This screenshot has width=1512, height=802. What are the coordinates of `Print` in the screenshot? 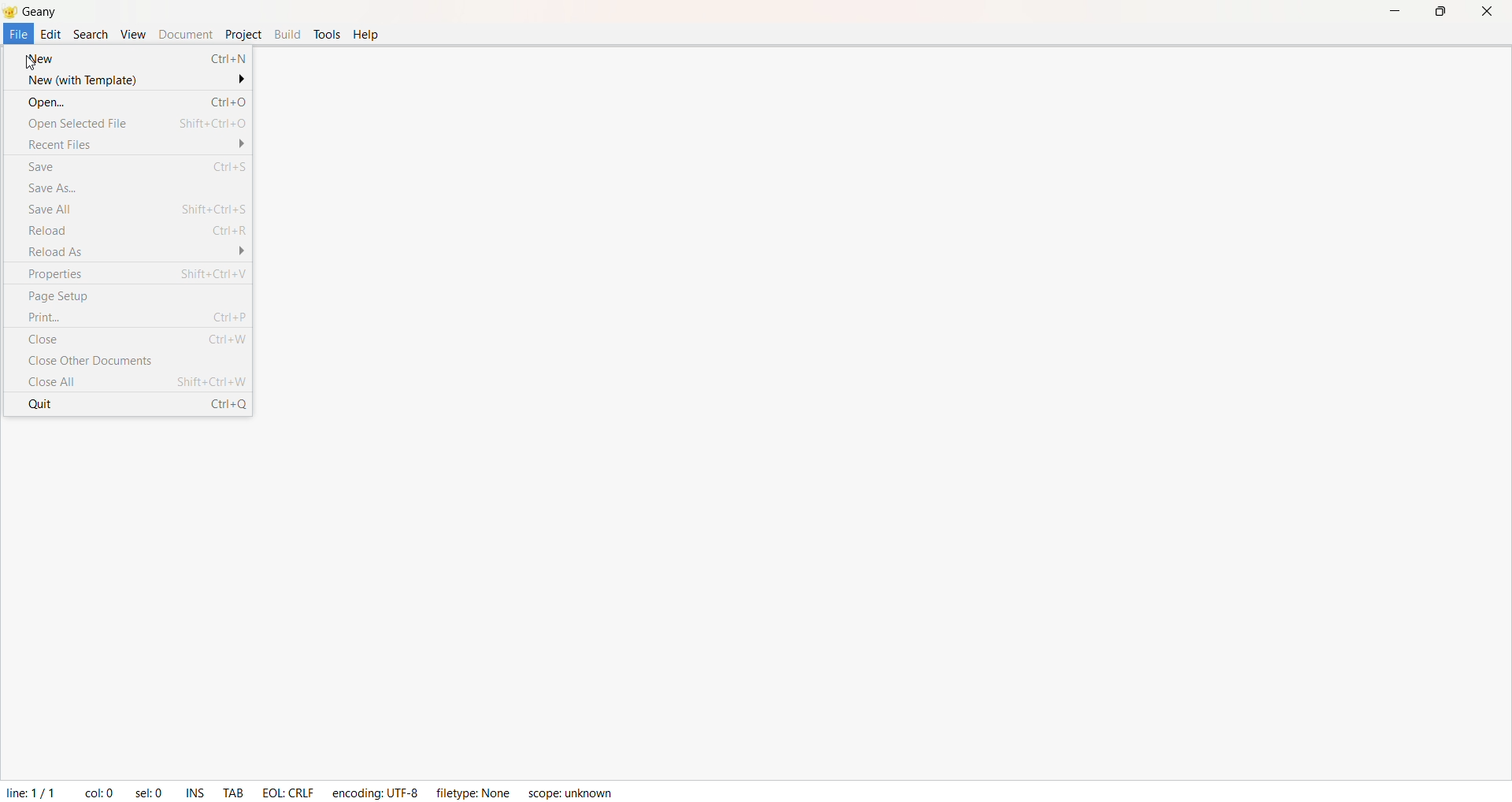 It's located at (138, 317).